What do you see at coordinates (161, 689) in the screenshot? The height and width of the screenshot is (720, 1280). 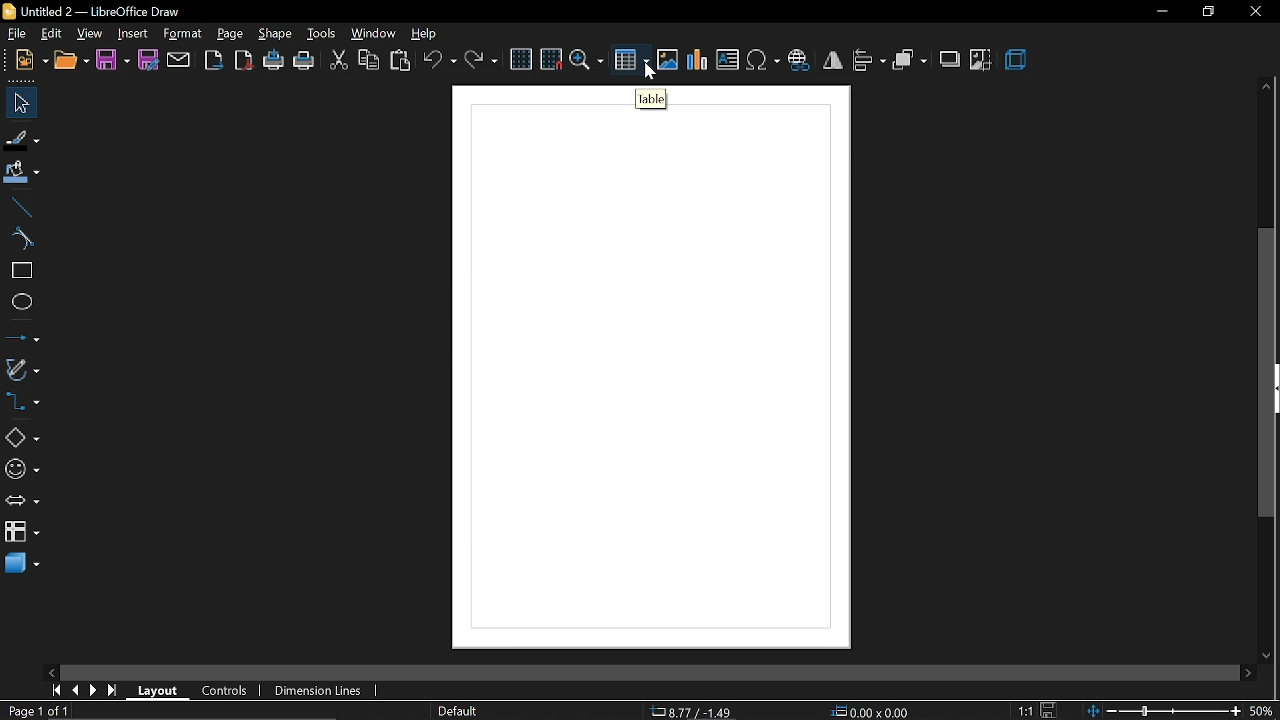 I see `layout` at bounding box center [161, 689].